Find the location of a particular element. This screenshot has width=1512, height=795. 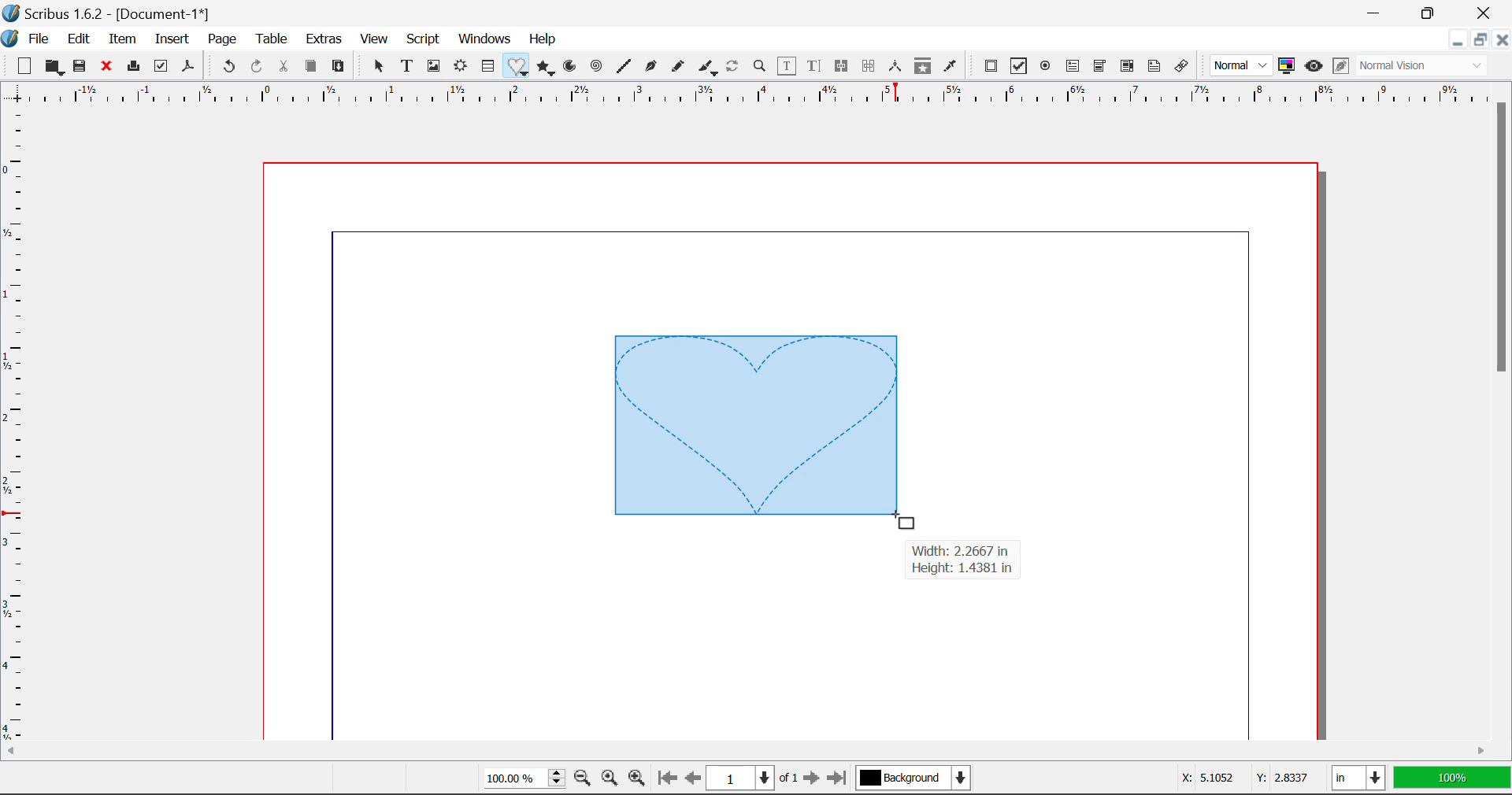

Link Text Frames is located at coordinates (844, 65).